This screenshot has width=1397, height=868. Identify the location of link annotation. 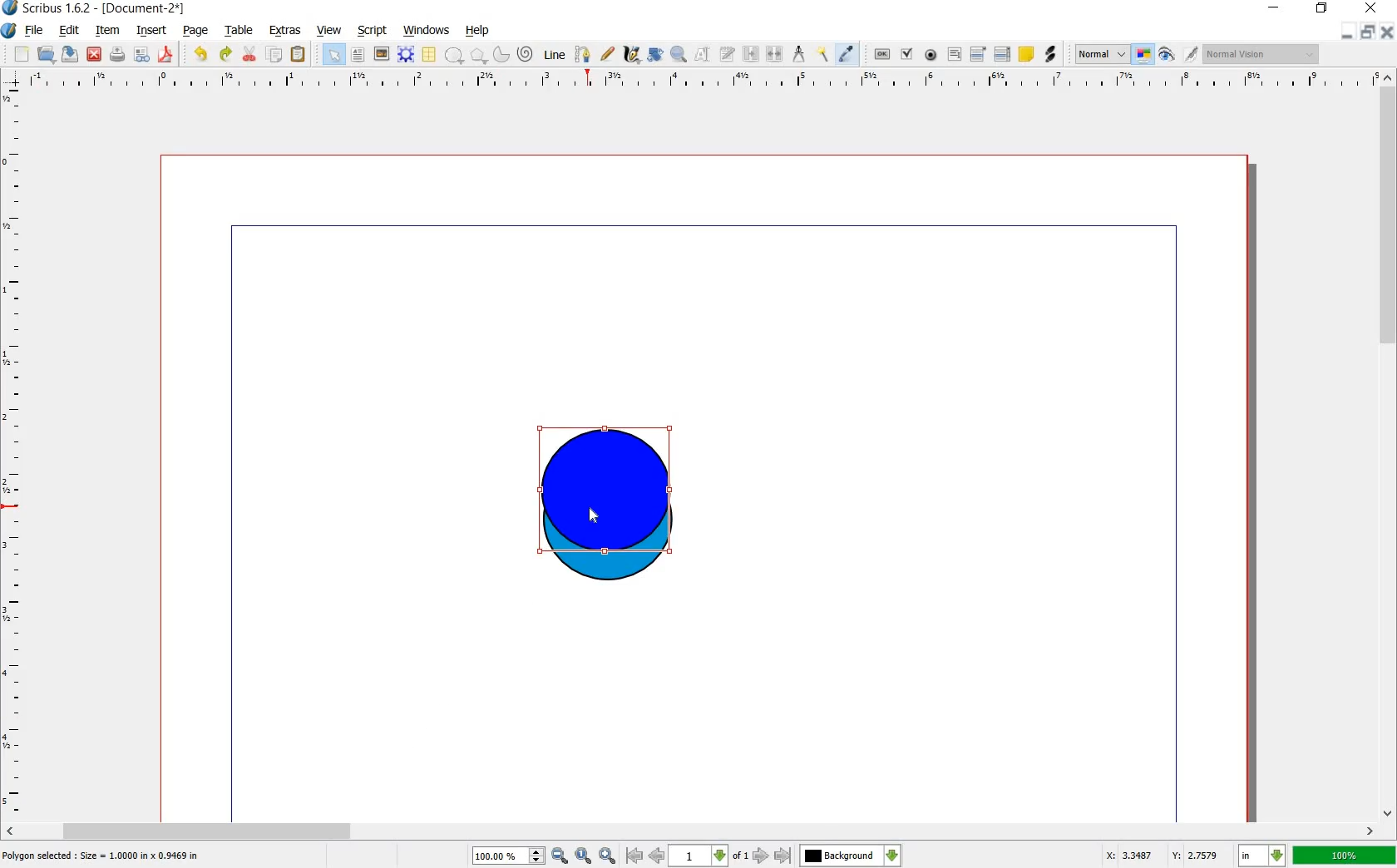
(1050, 53).